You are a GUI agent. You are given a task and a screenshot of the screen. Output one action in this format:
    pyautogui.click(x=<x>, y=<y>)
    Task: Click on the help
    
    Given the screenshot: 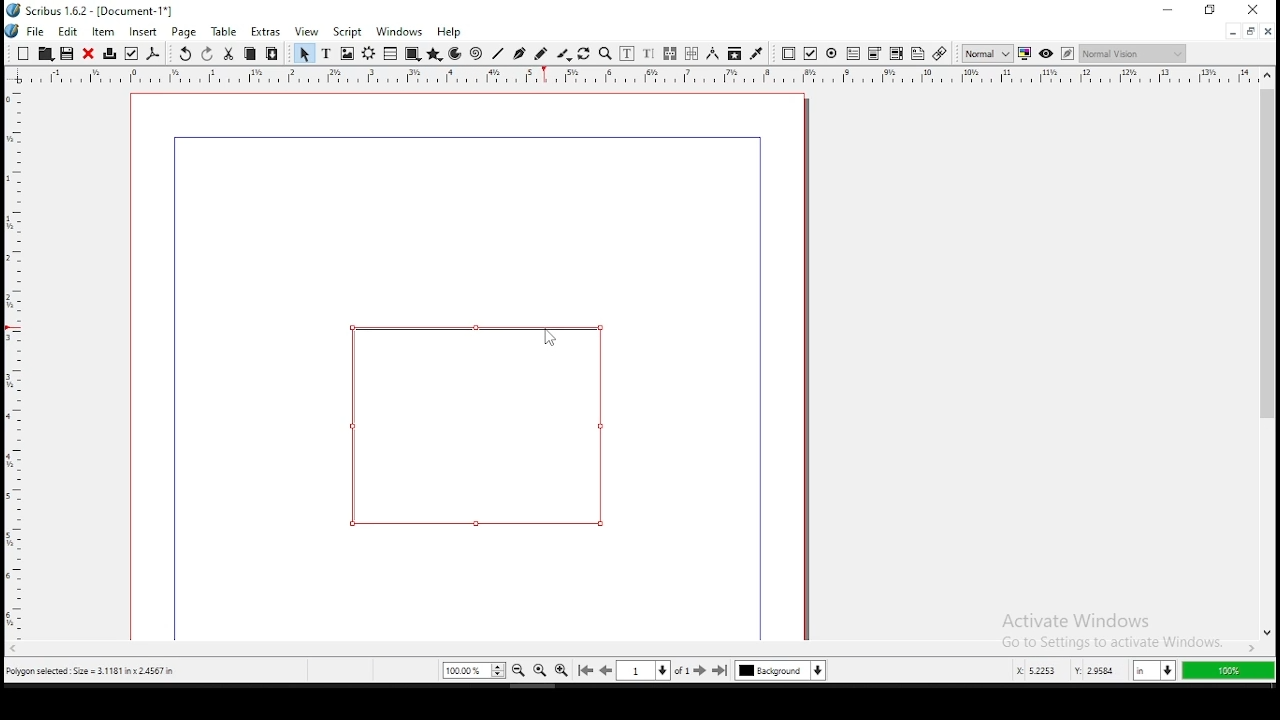 What is the action you would take?
    pyautogui.click(x=449, y=32)
    